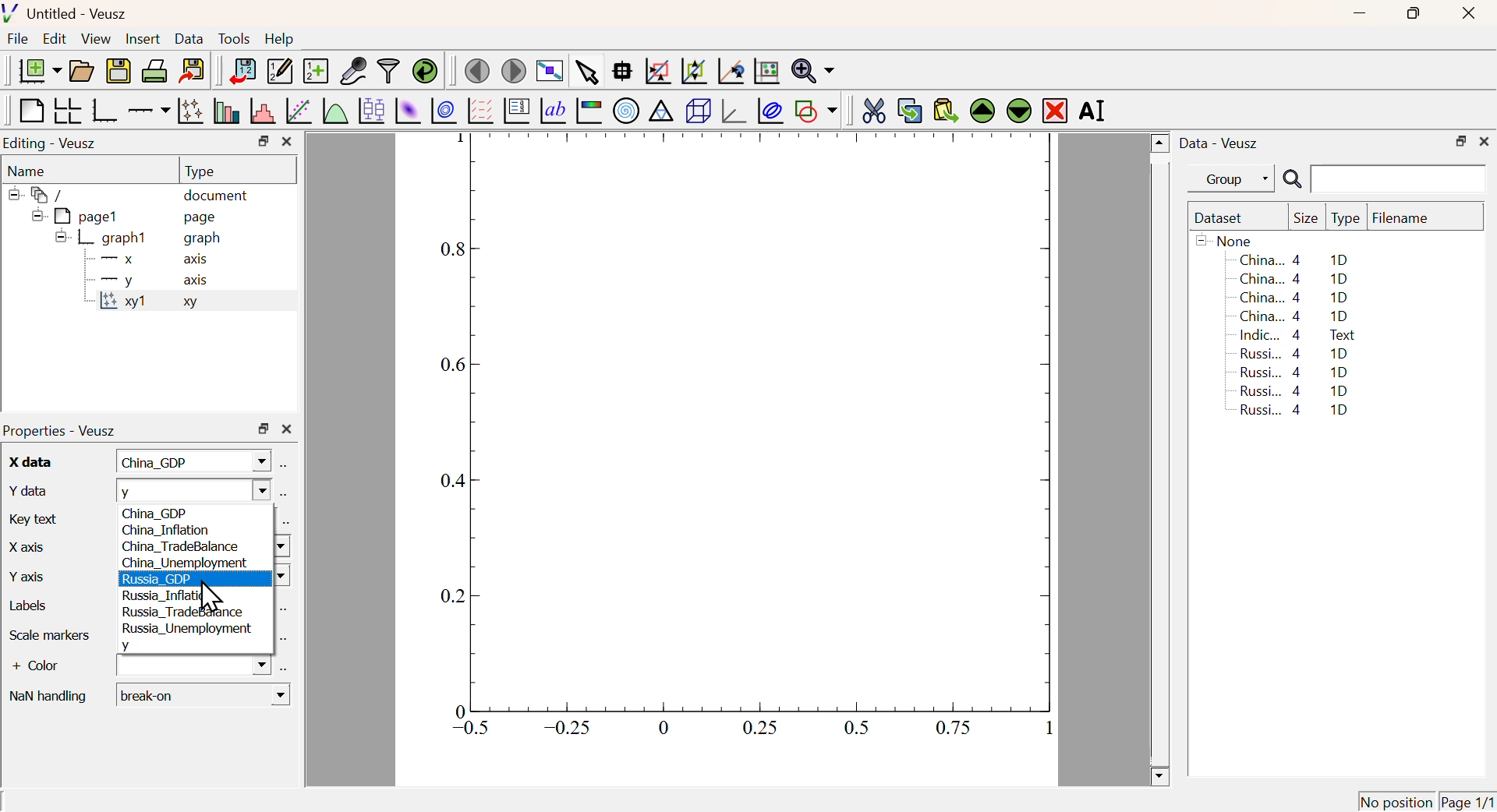 This screenshot has width=1497, height=812. I want to click on Key text, so click(35, 517).